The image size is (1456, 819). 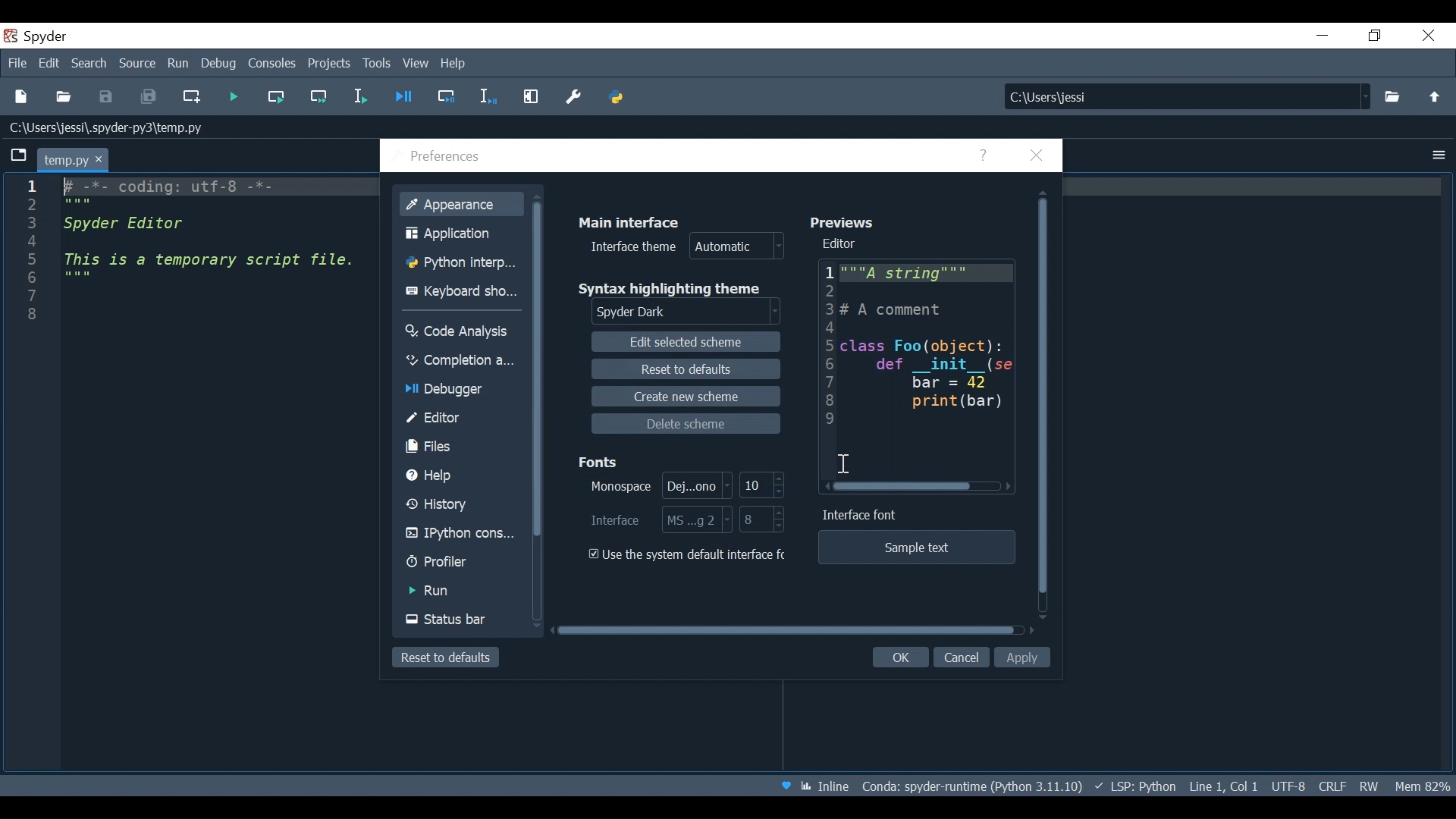 What do you see at coordinates (30, 475) in the screenshot?
I see `Line column` at bounding box center [30, 475].